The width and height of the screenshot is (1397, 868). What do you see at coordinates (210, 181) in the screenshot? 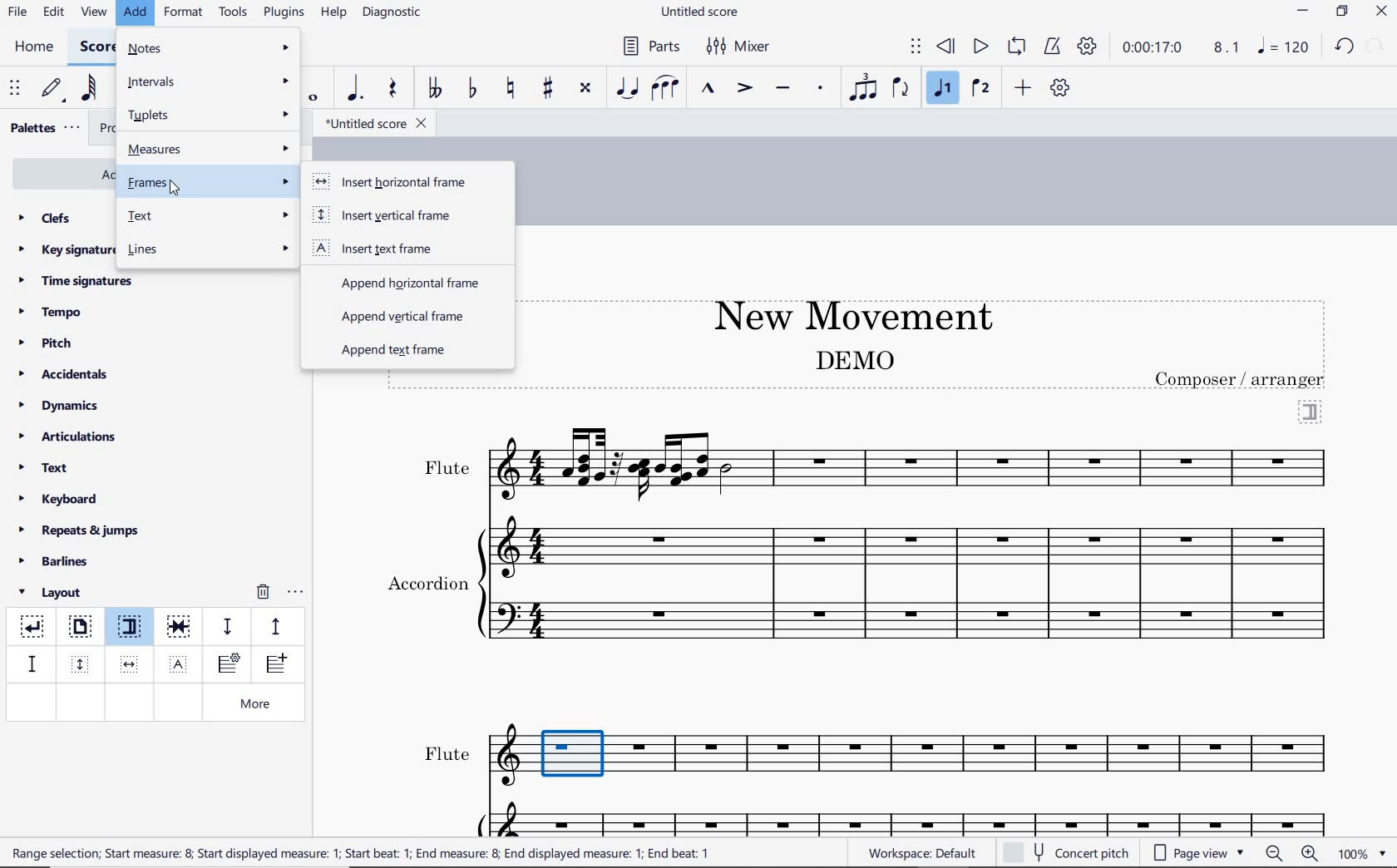
I see `frames` at bounding box center [210, 181].